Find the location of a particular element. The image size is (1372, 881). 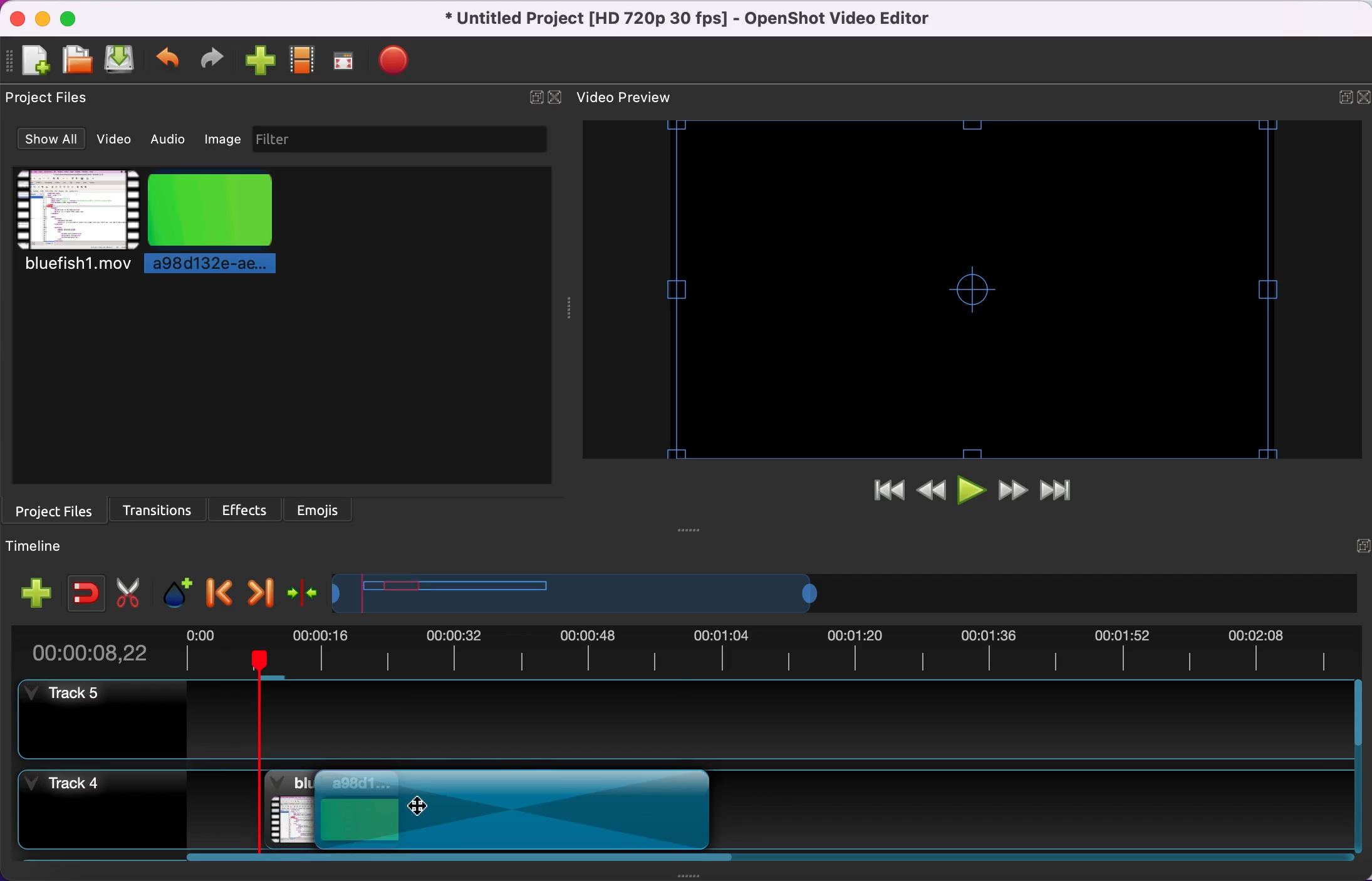

close is located at coordinates (1363, 98).